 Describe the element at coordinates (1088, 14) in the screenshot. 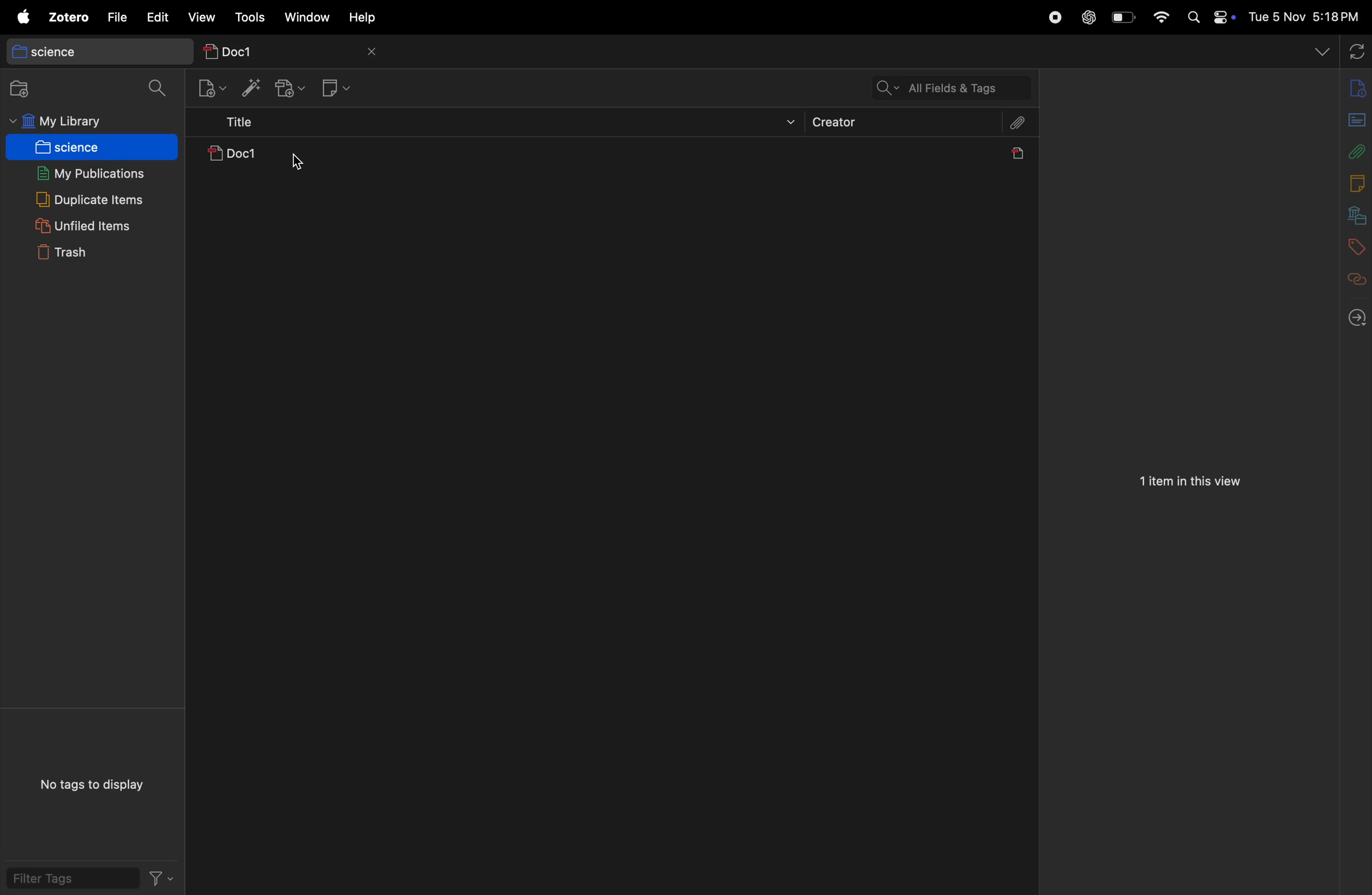

I see `chatgpt` at that location.